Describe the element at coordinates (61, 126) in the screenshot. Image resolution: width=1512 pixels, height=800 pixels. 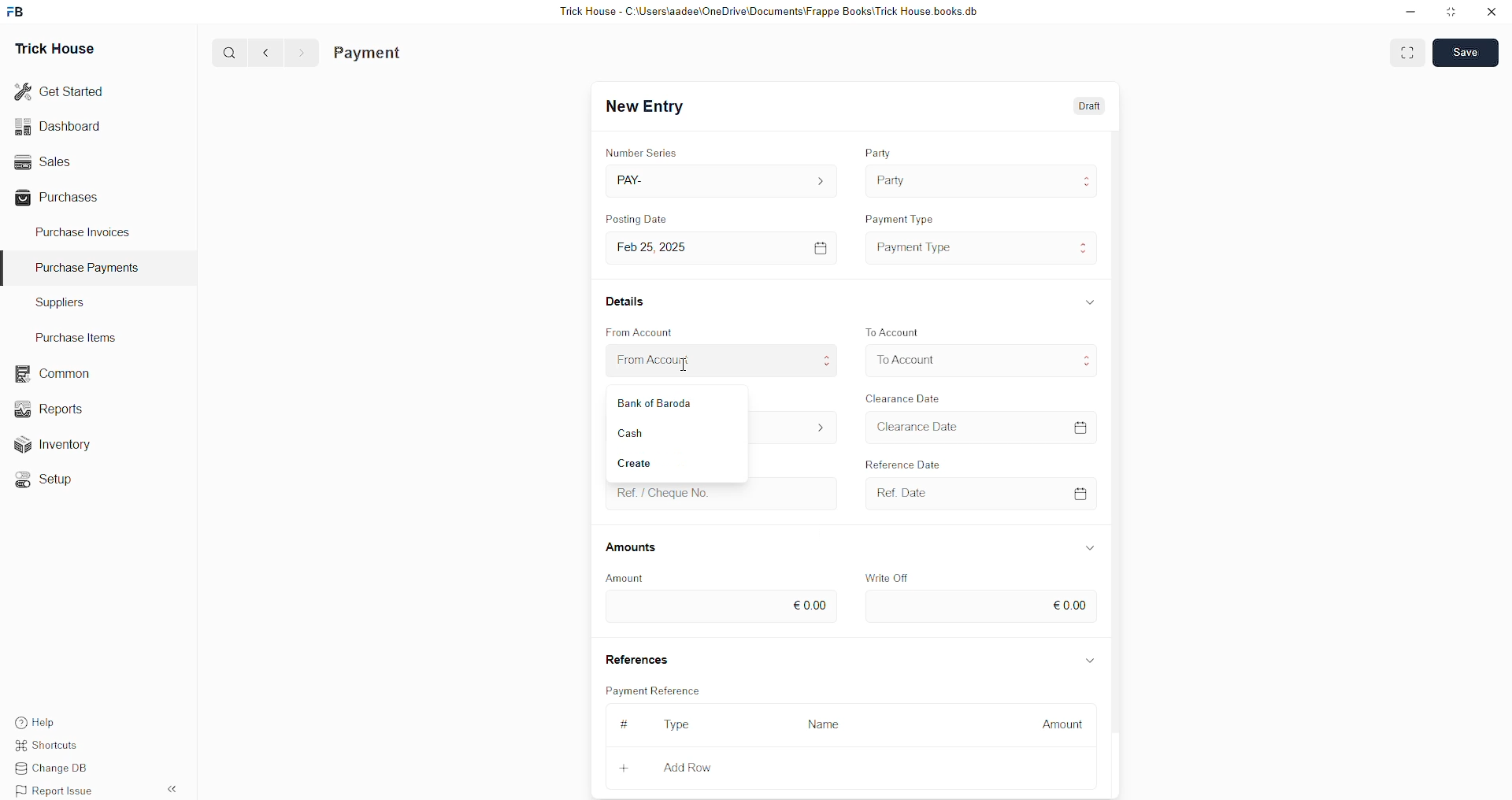
I see `Dashboard` at that location.